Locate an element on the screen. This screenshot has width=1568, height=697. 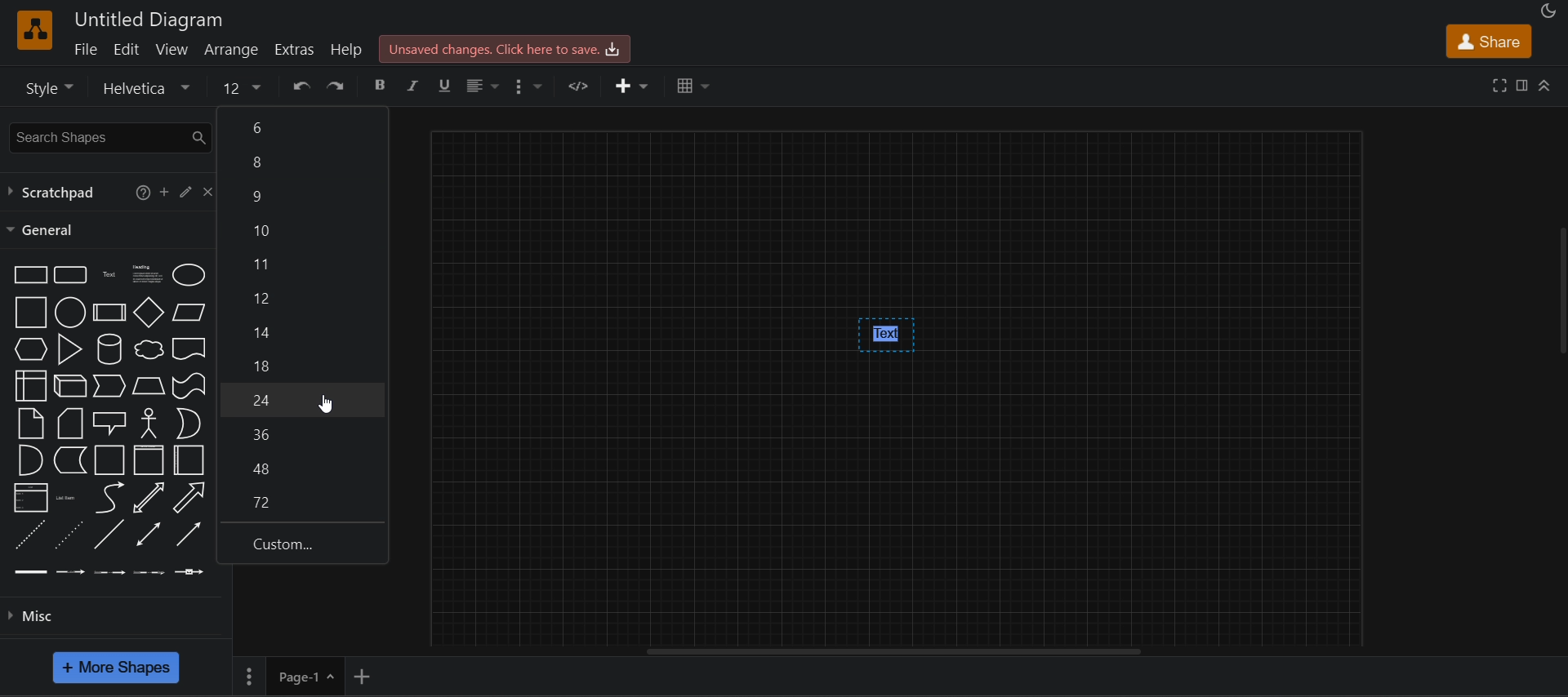
List item is located at coordinates (69, 499).